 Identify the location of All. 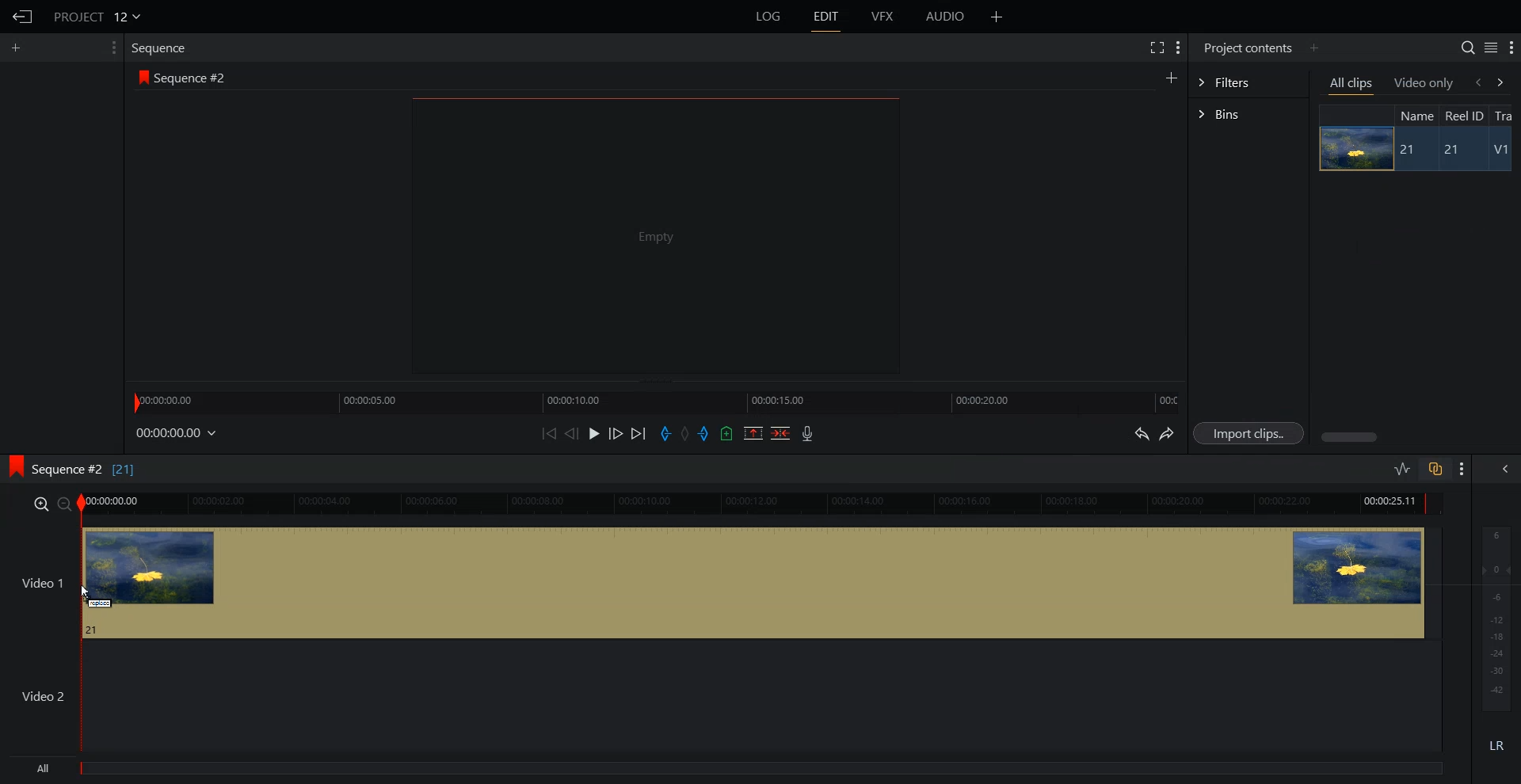
(728, 770).